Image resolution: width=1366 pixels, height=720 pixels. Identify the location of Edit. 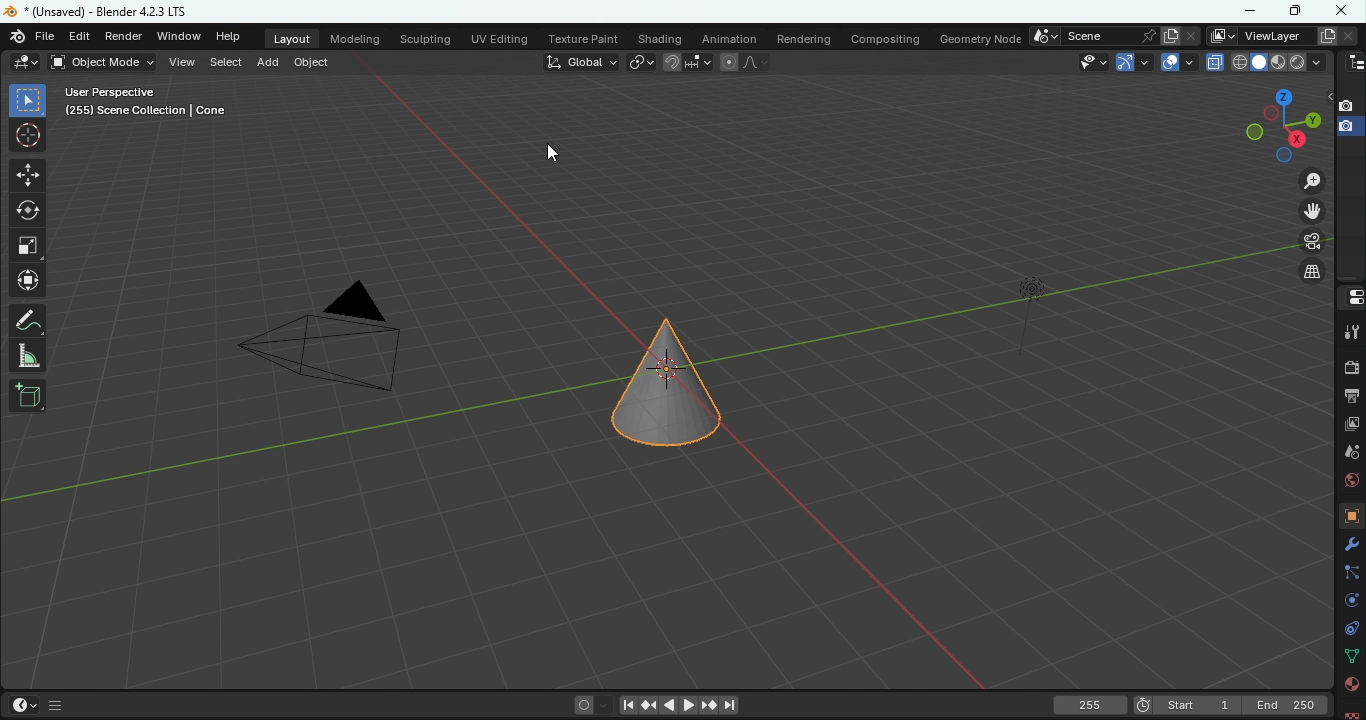
(82, 36).